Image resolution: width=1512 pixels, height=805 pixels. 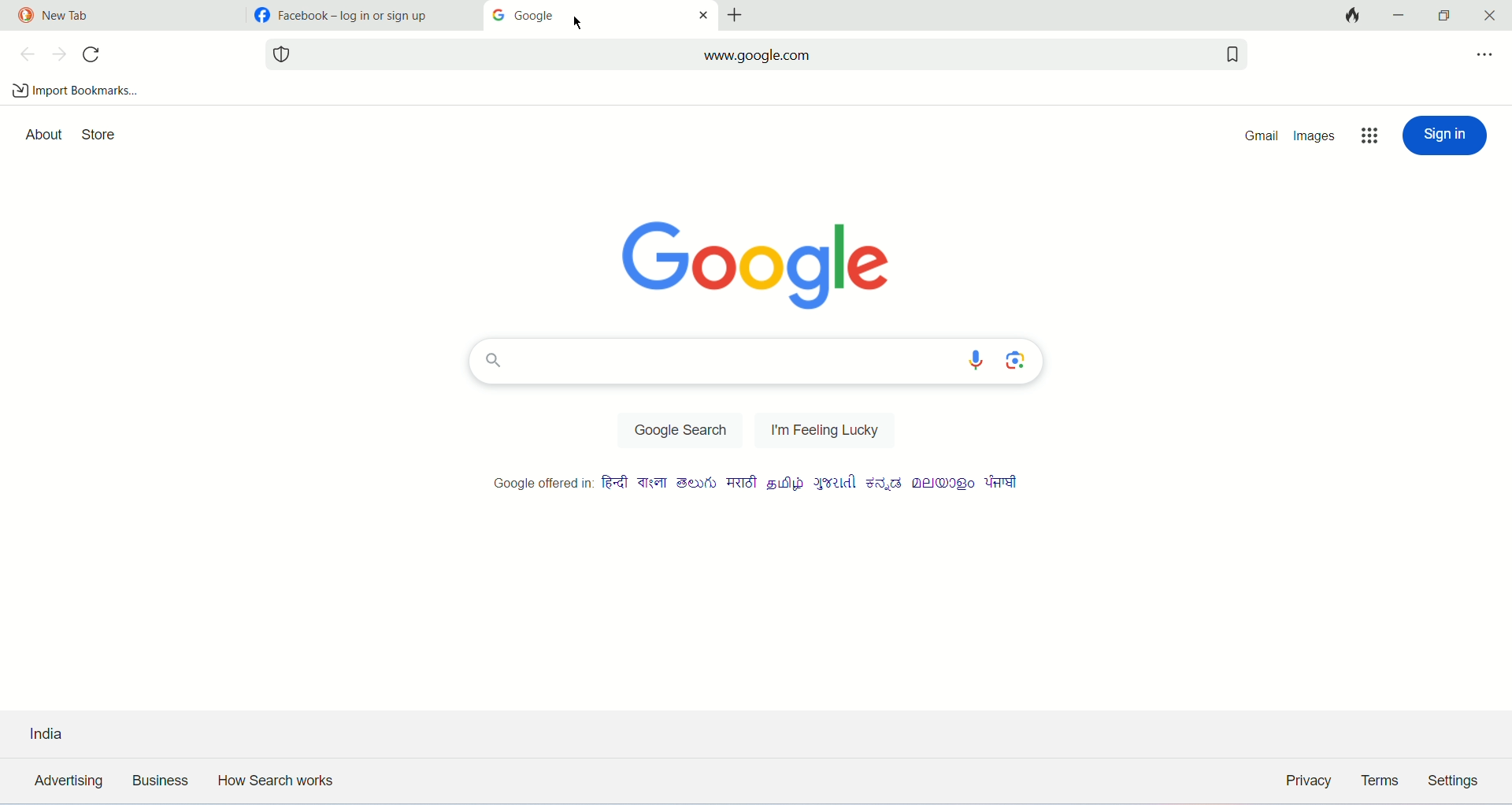 What do you see at coordinates (1489, 15) in the screenshot?
I see `close` at bounding box center [1489, 15].